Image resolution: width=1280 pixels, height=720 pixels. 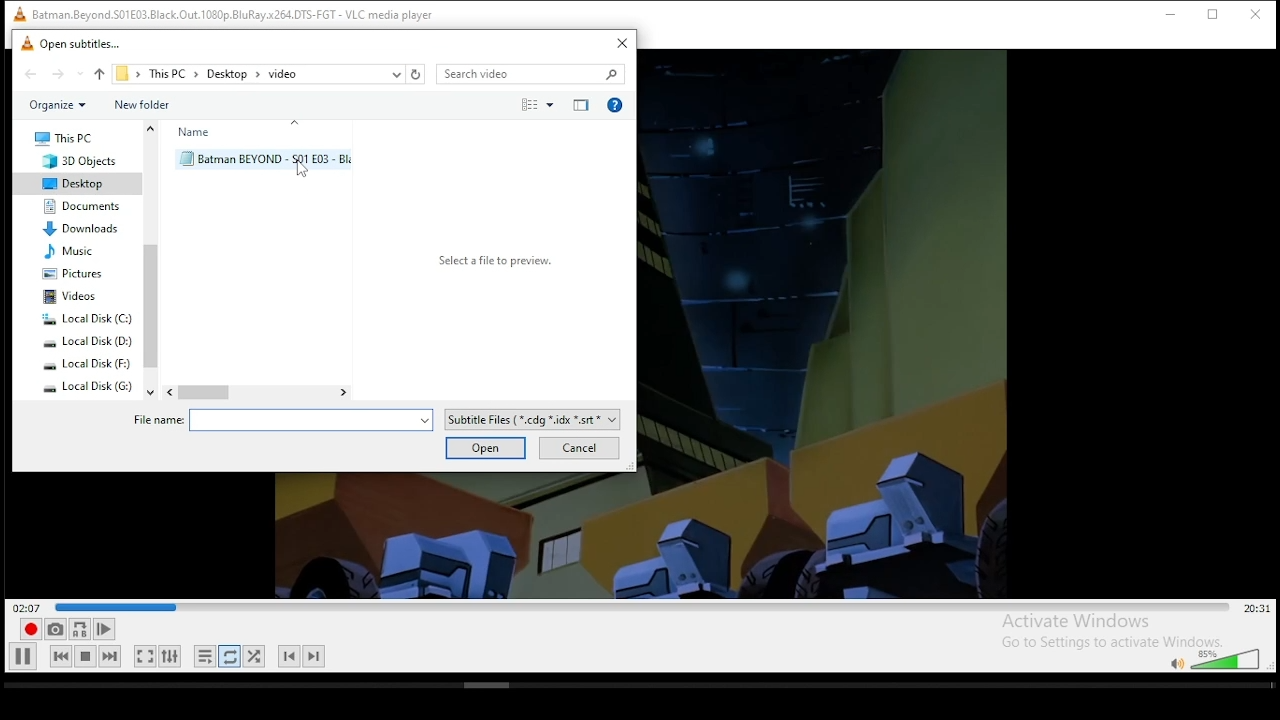 What do you see at coordinates (55, 630) in the screenshot?
I see `take a snapshot` at bounding box center [55, 630].